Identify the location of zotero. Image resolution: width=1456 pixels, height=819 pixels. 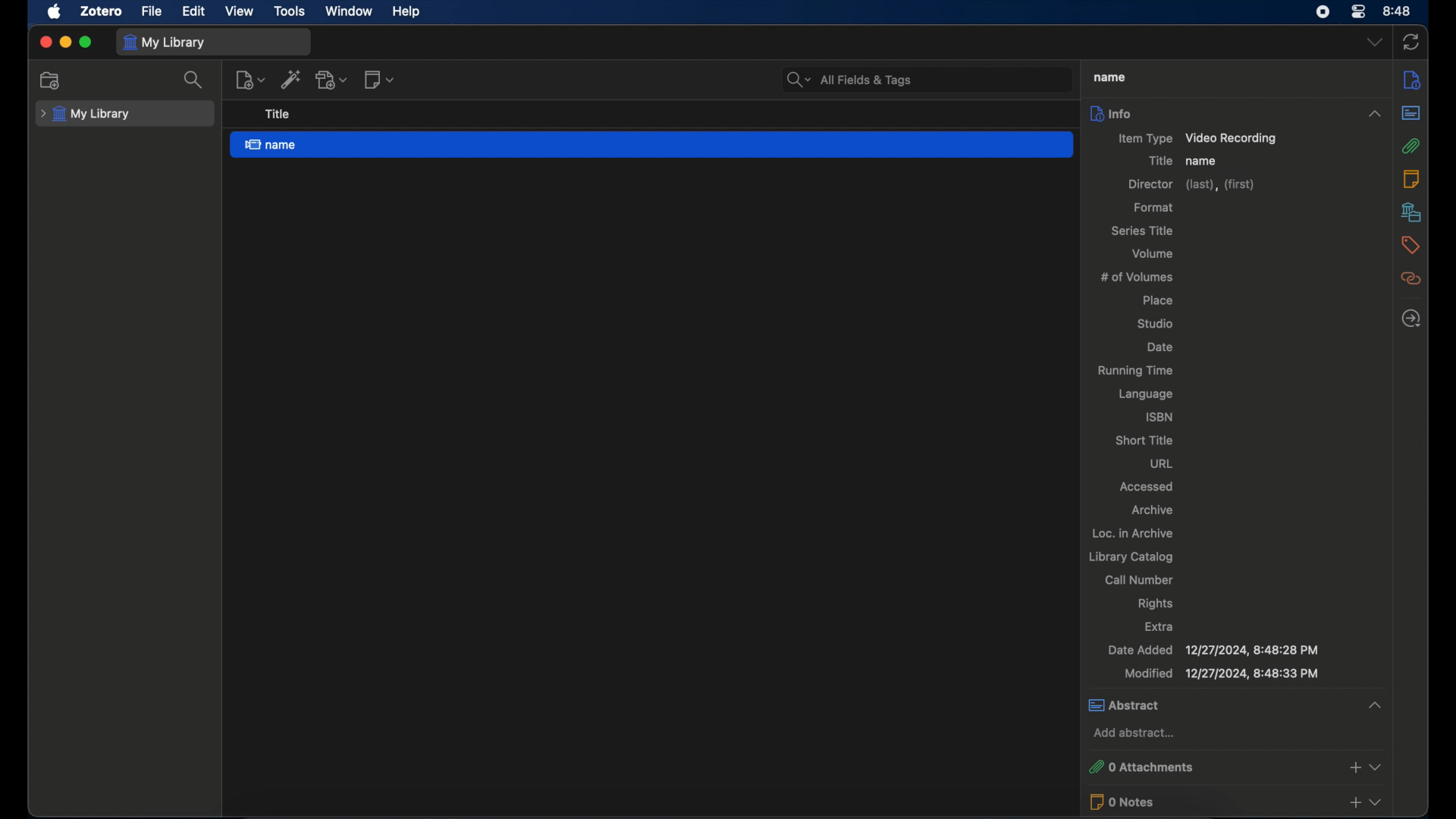
(100, 11).